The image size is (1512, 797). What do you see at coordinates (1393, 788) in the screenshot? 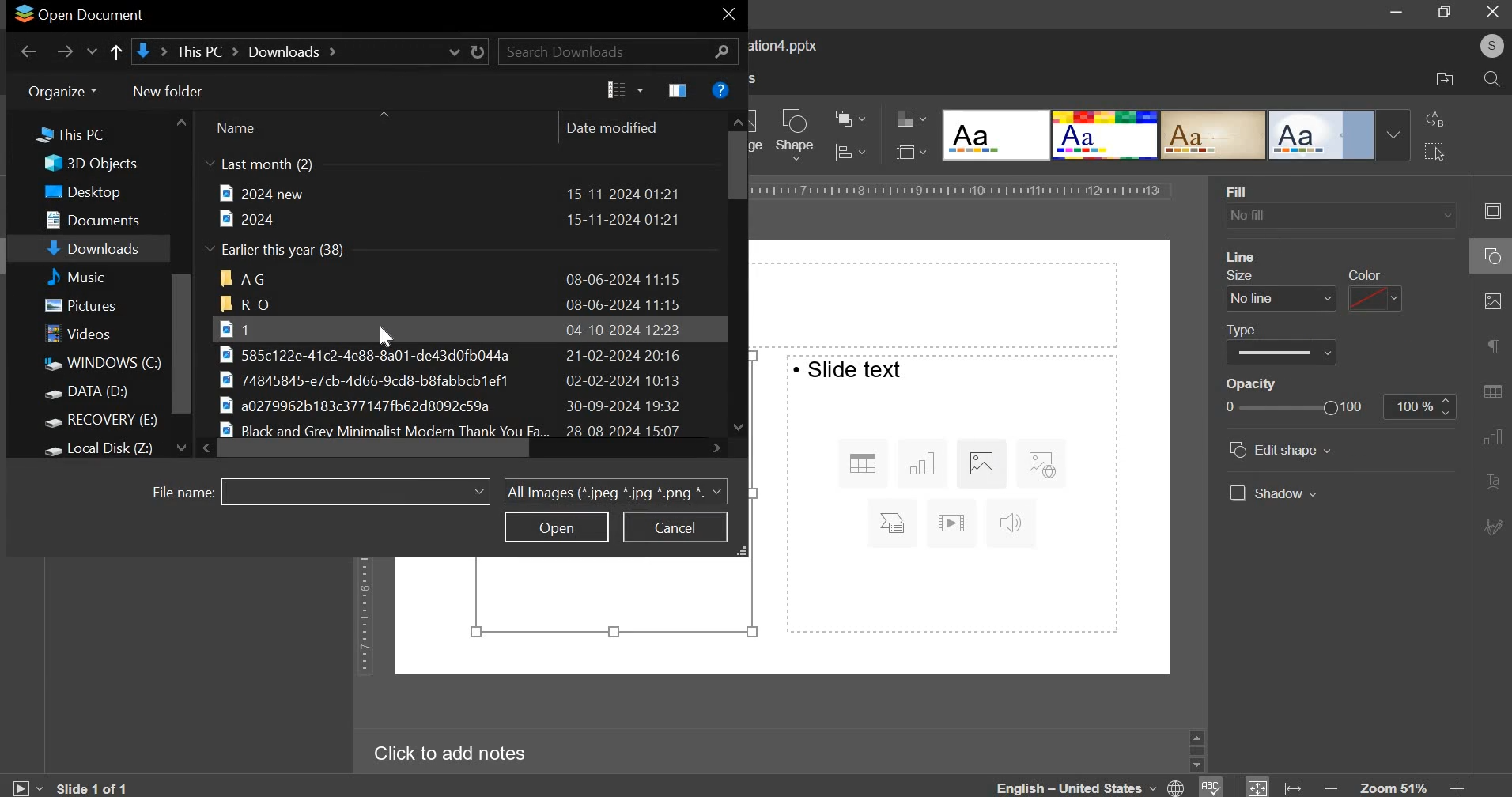
I see `zoom 51%` at bounding box center [1393, 788].